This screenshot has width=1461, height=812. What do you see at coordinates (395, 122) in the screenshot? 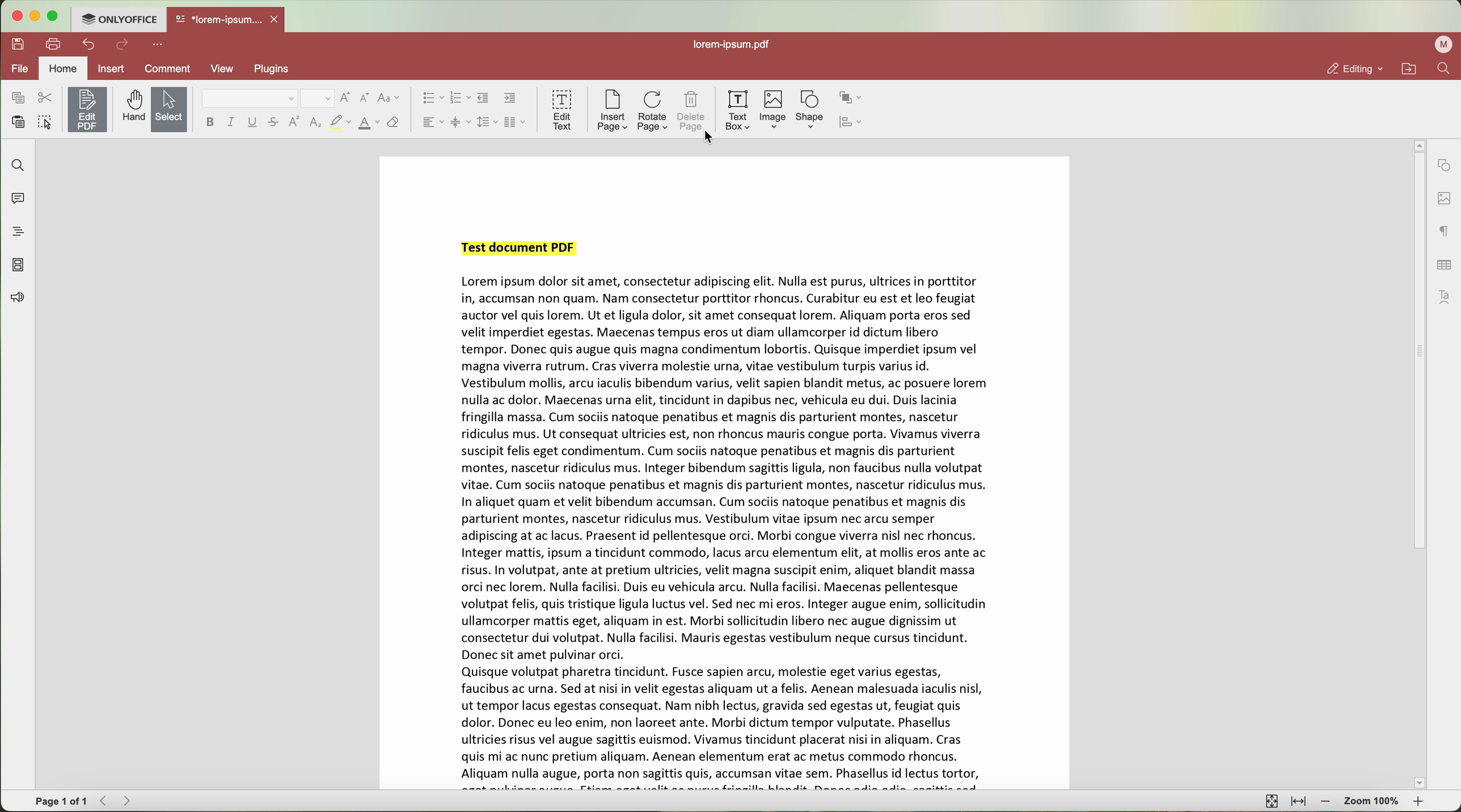
I see `clear style` at bounding box center [395, 122].